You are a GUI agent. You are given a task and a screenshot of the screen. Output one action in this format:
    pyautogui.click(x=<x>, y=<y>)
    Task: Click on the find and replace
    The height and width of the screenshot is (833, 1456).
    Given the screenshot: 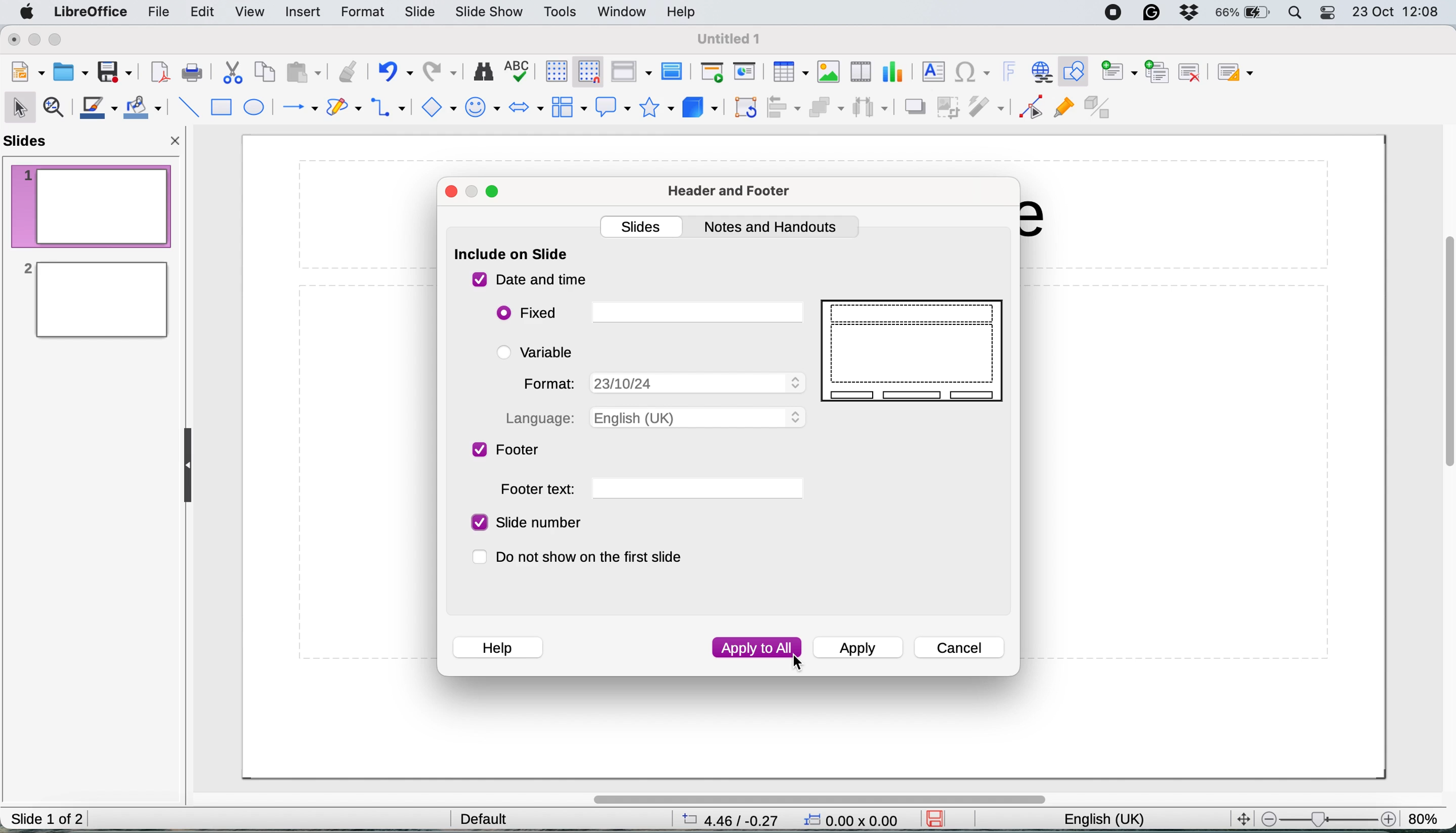 What is the action you would take?
    pyautogui.click(x=484, y=71)
    